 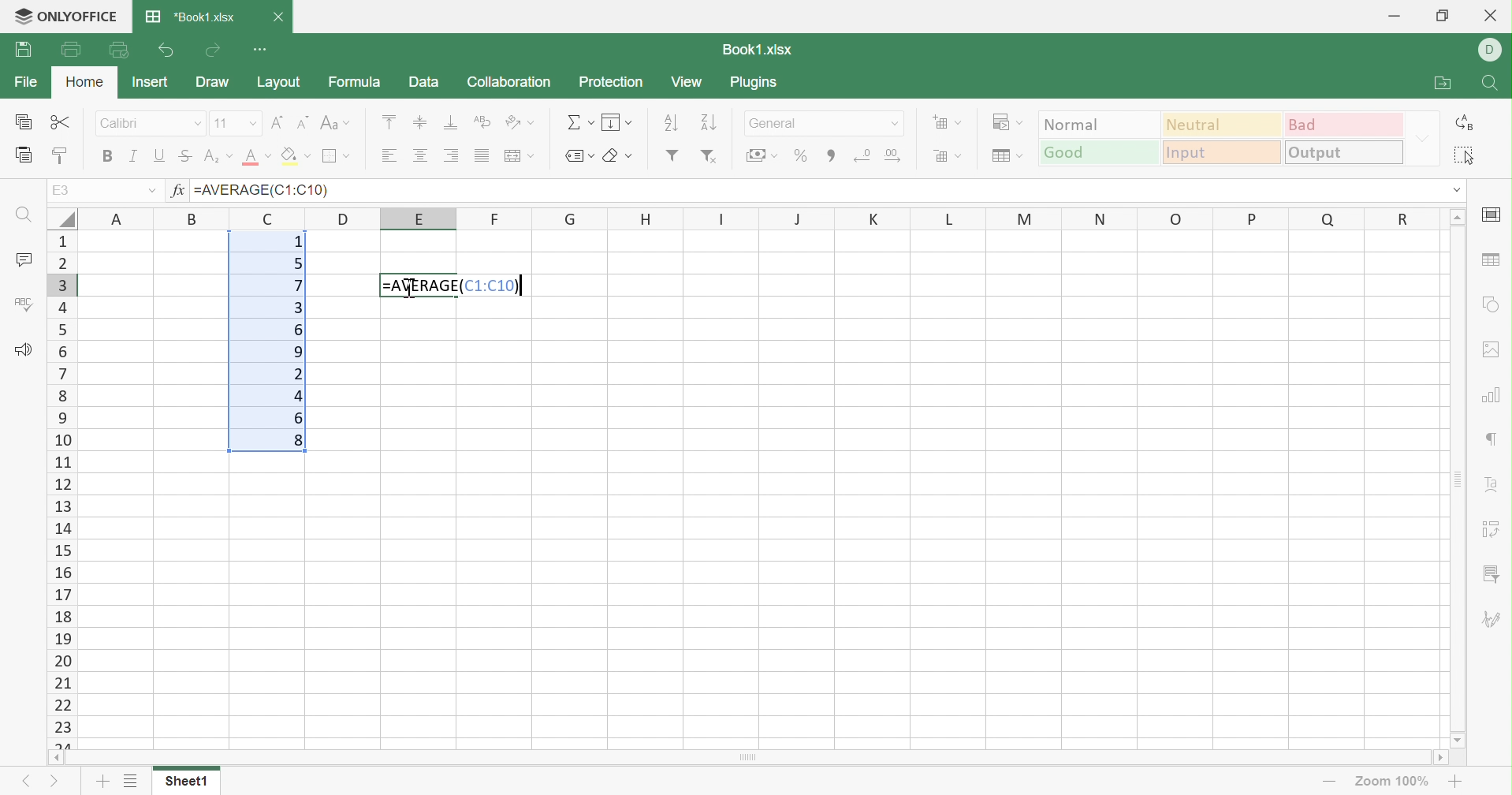 I want to click on General, so click(x=776, y=125).